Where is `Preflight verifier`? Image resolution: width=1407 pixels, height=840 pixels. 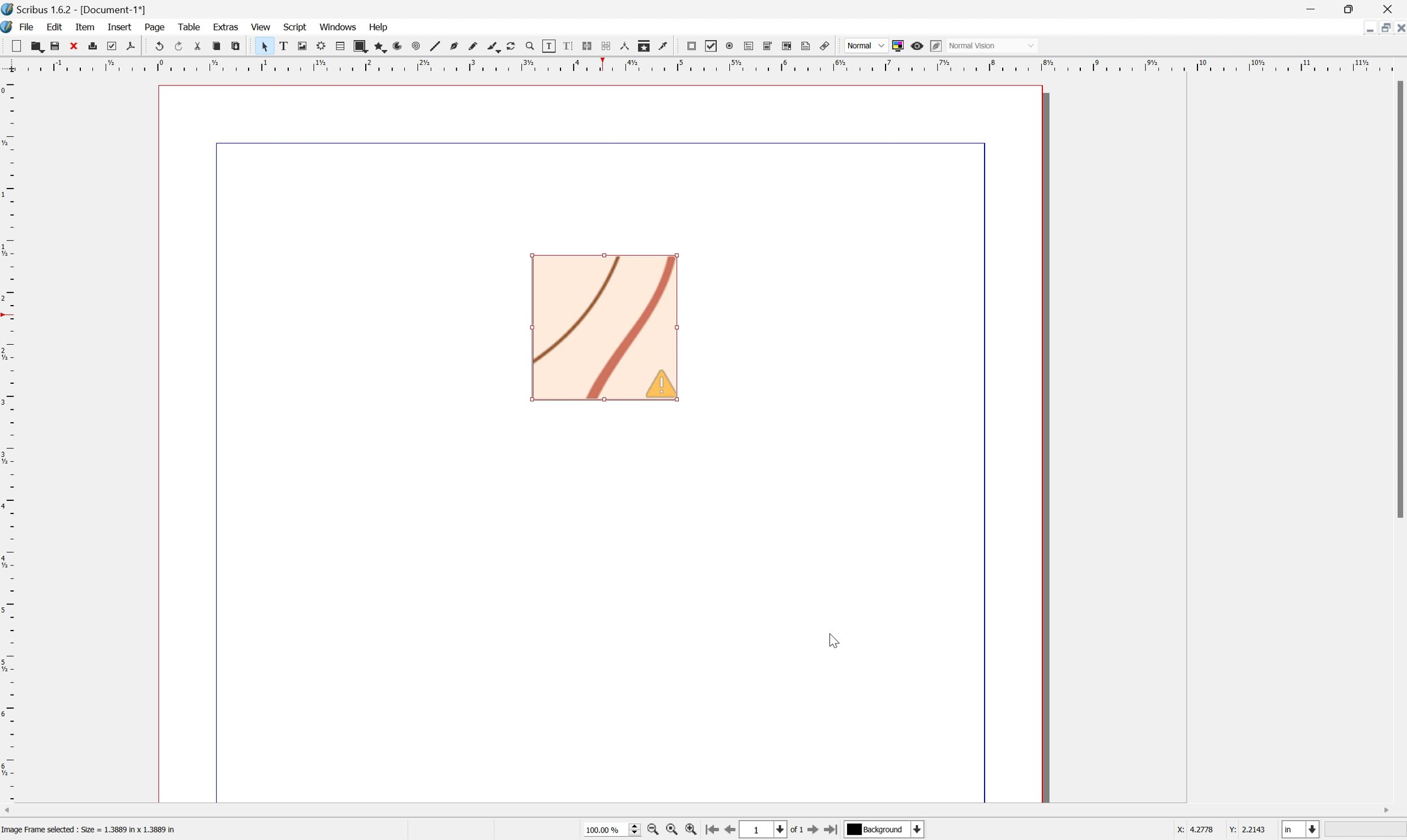 Preflight verifier is located at coordinates (113, 45).